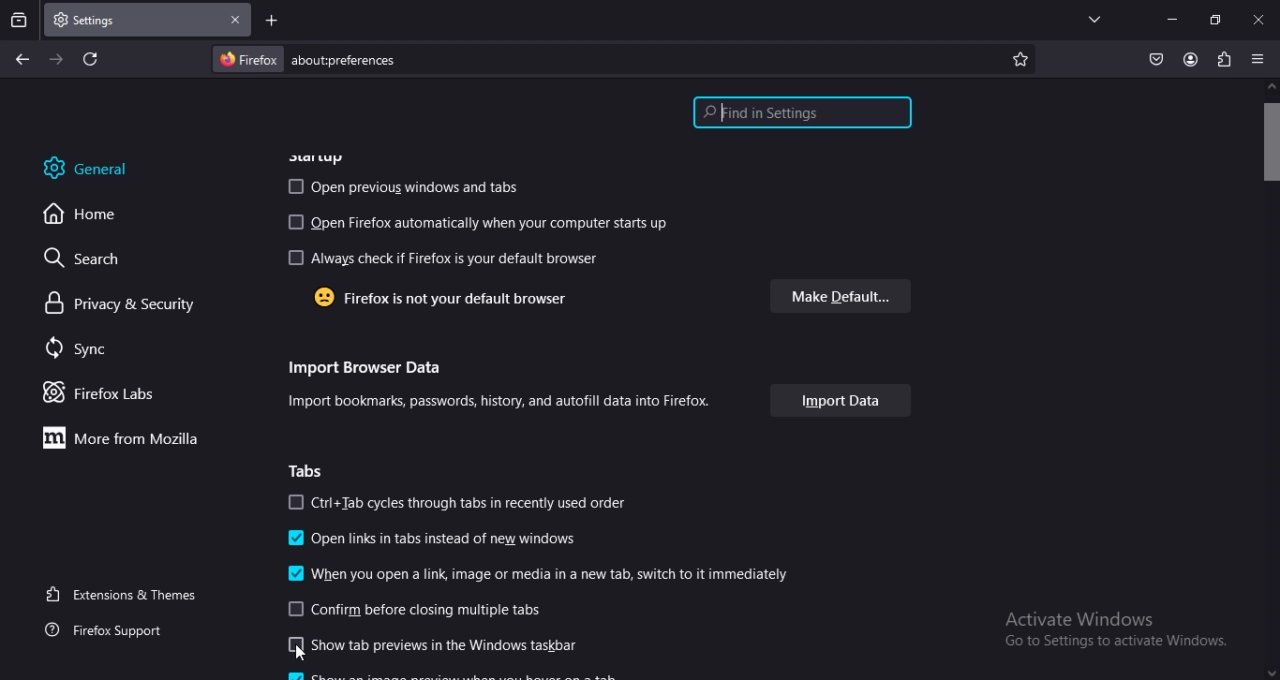 This screenshot has height=680, width=1280. Describe the element at coordinates (56, 59) in the screenshot. I see `go forward one page` at that location.